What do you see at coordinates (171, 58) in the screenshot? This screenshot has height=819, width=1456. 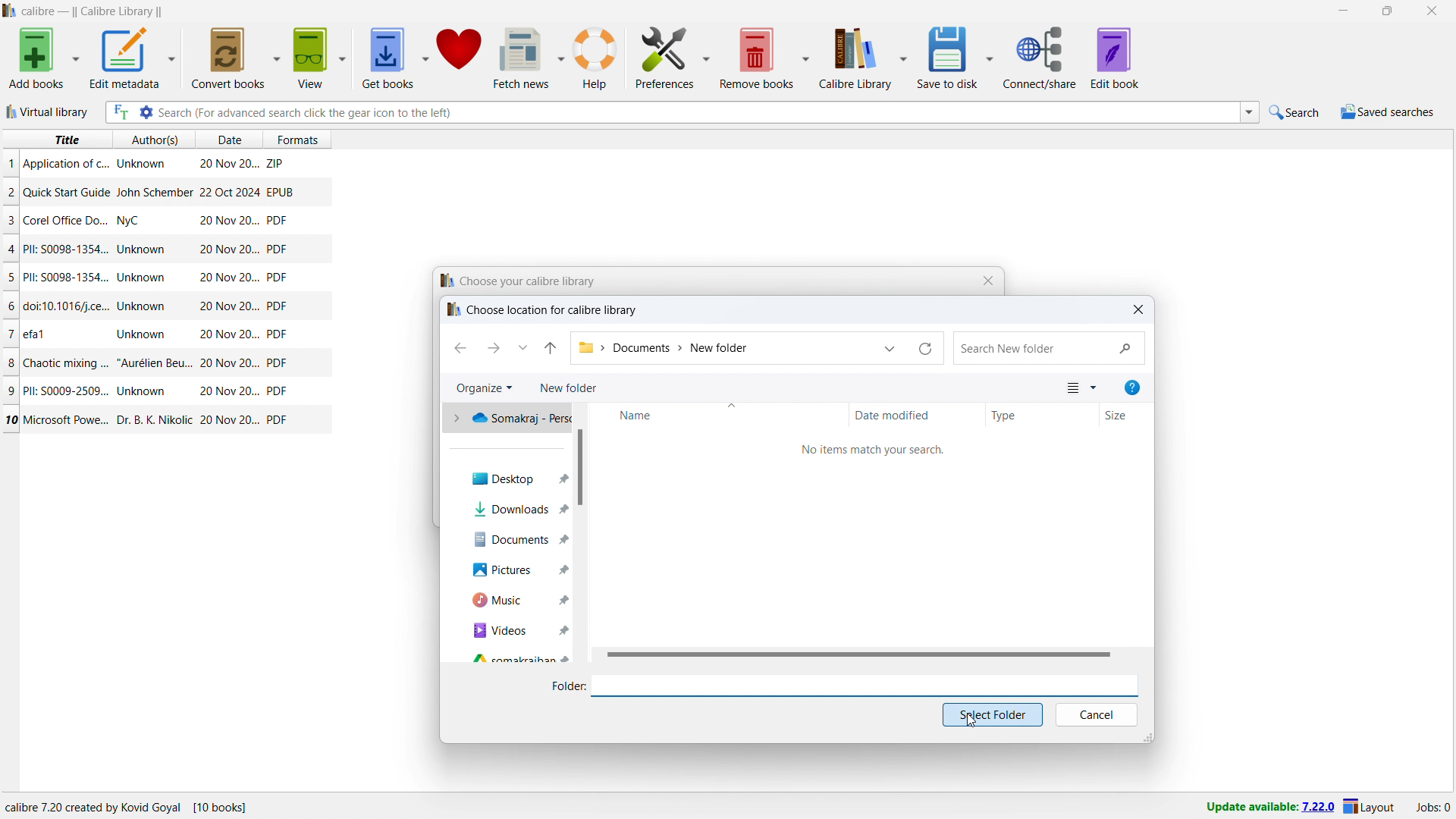 I see `edit metadata options` at bounding box center [171, 58].